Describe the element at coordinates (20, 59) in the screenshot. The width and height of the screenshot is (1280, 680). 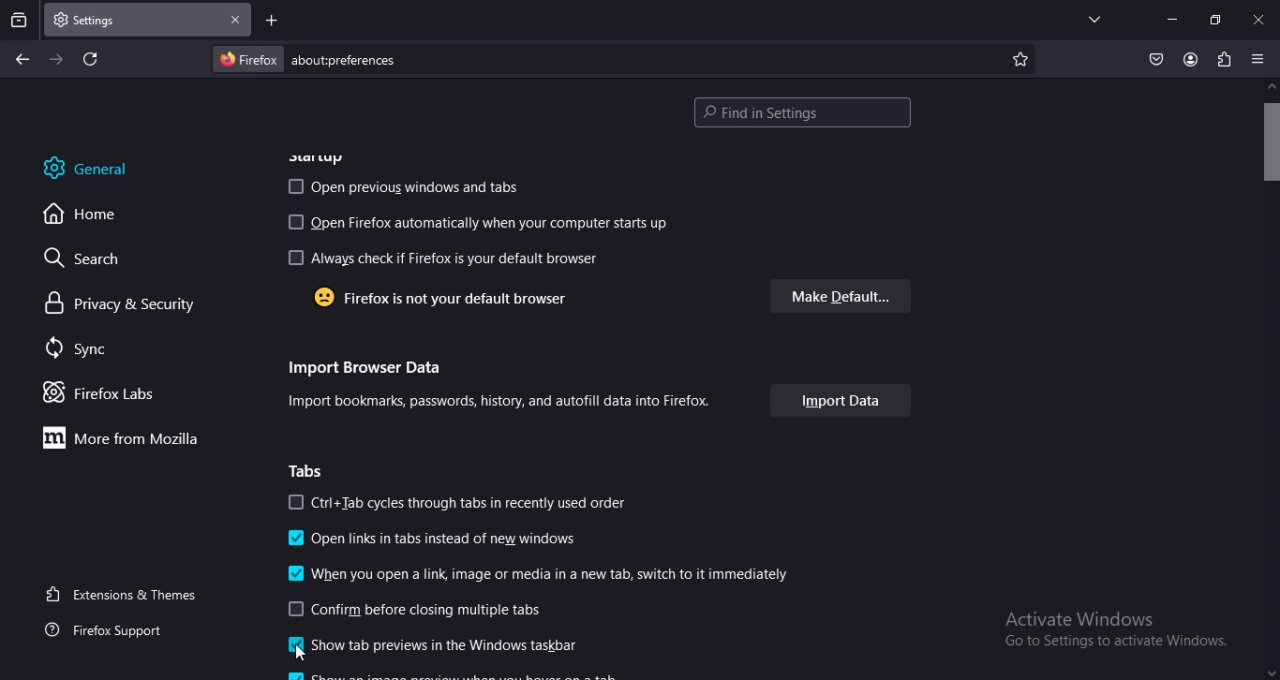
I see `go back one page` at that location.